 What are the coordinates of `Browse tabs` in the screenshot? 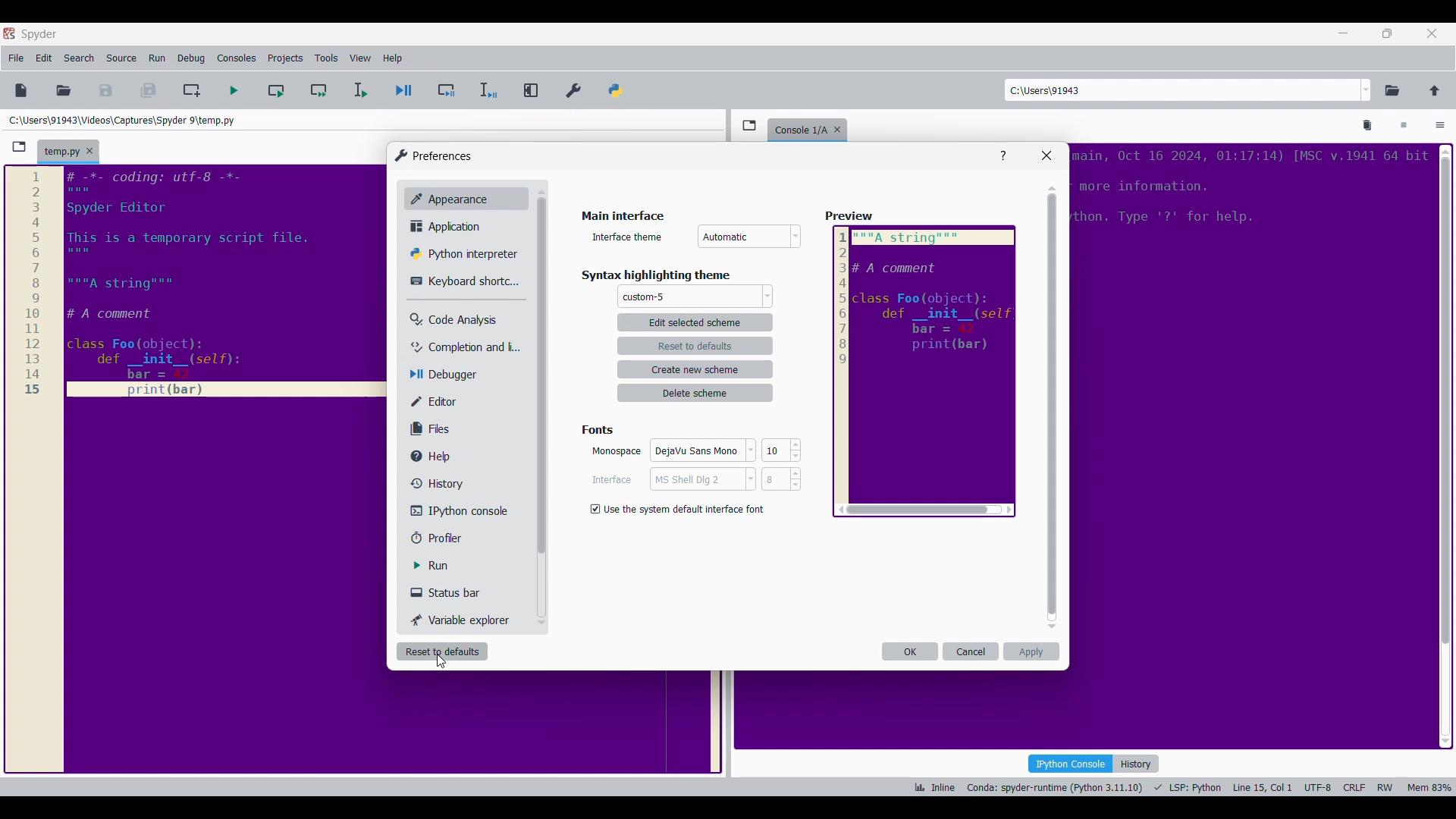 It's located at (19, 146).